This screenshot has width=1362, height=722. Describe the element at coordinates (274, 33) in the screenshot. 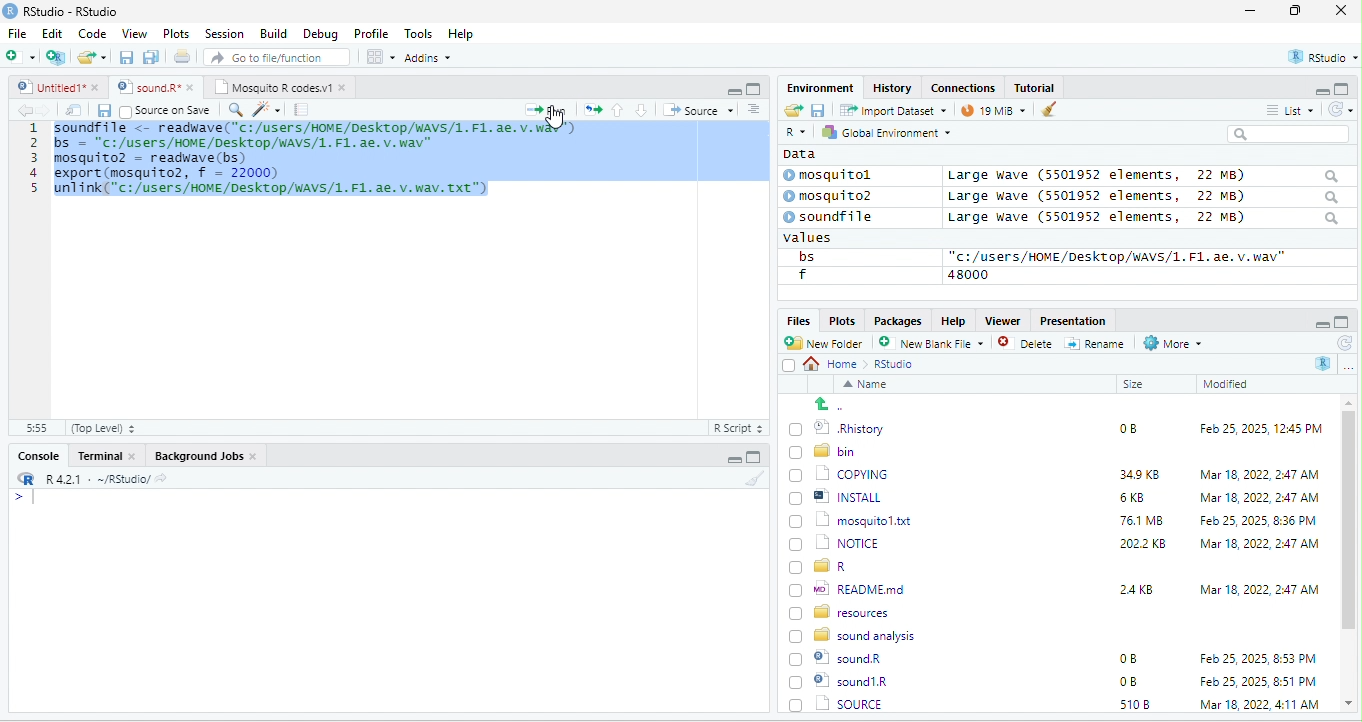

I see `Build` at that location.